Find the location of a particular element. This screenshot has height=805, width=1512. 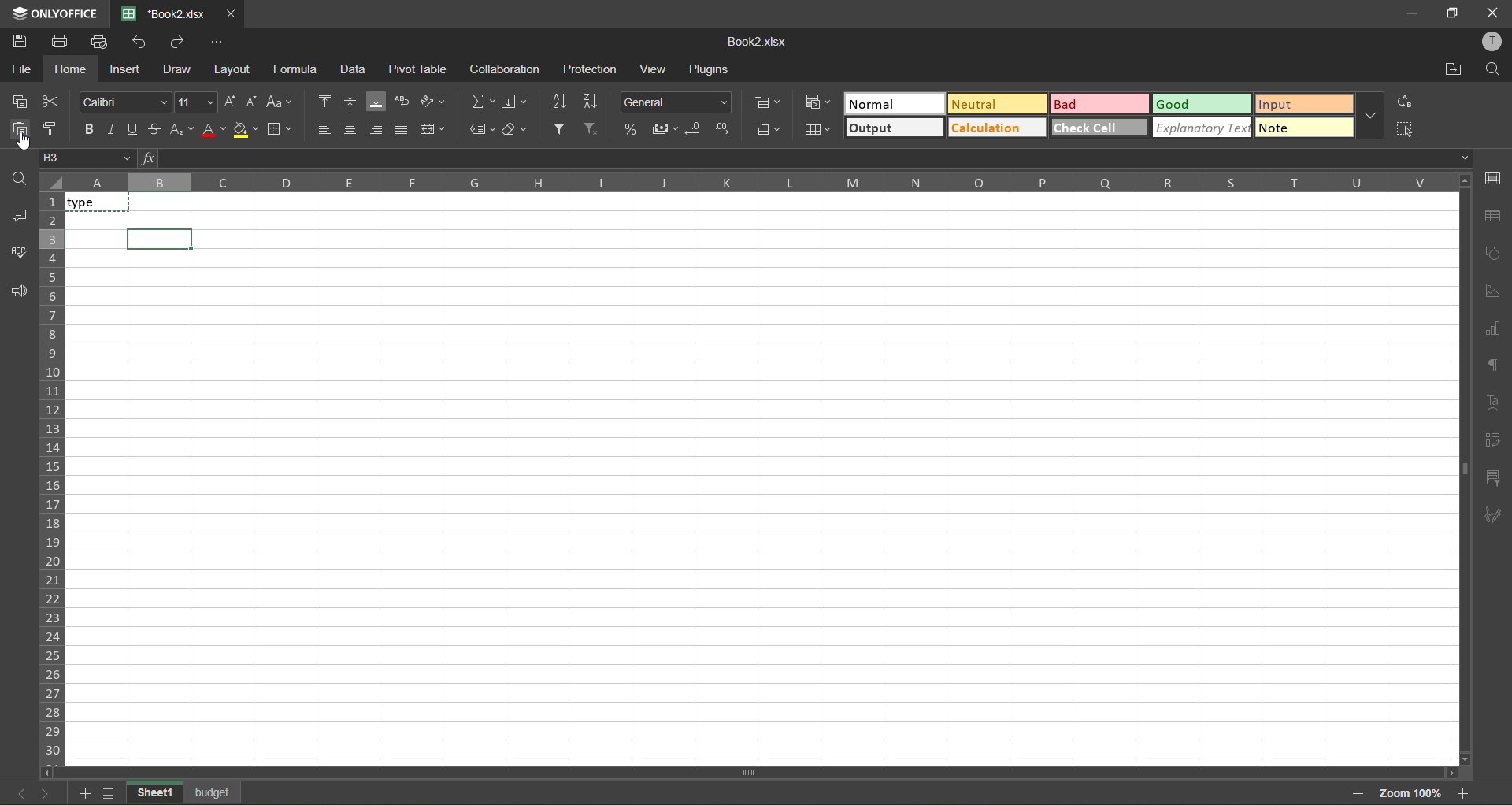

merge and center is located at coordinates (433, 128).